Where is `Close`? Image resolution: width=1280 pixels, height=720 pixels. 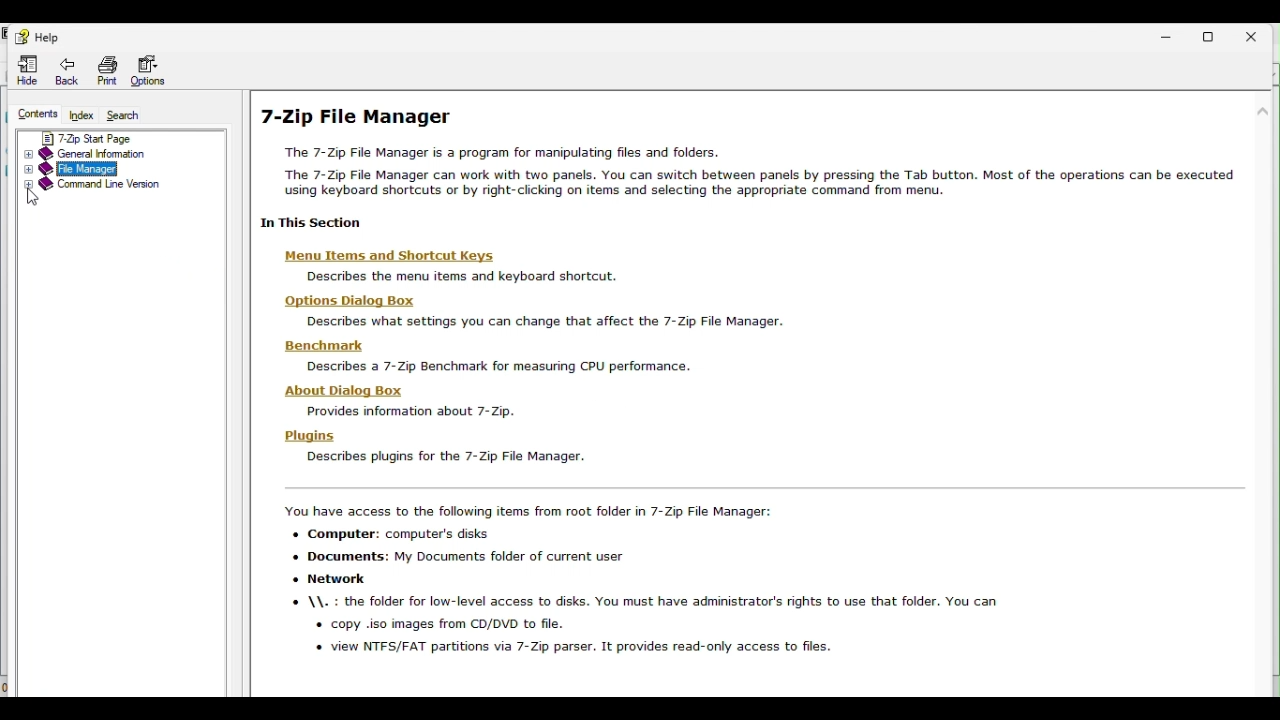
Close is located at coordinates (1258, 34).